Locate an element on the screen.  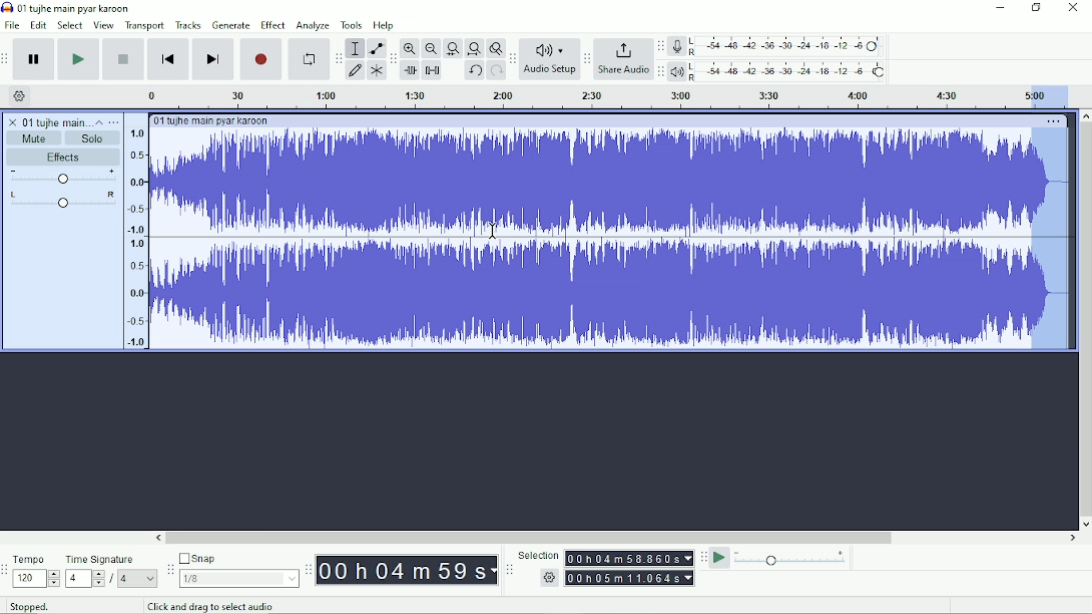
Play is located at coordinates (78, 59).